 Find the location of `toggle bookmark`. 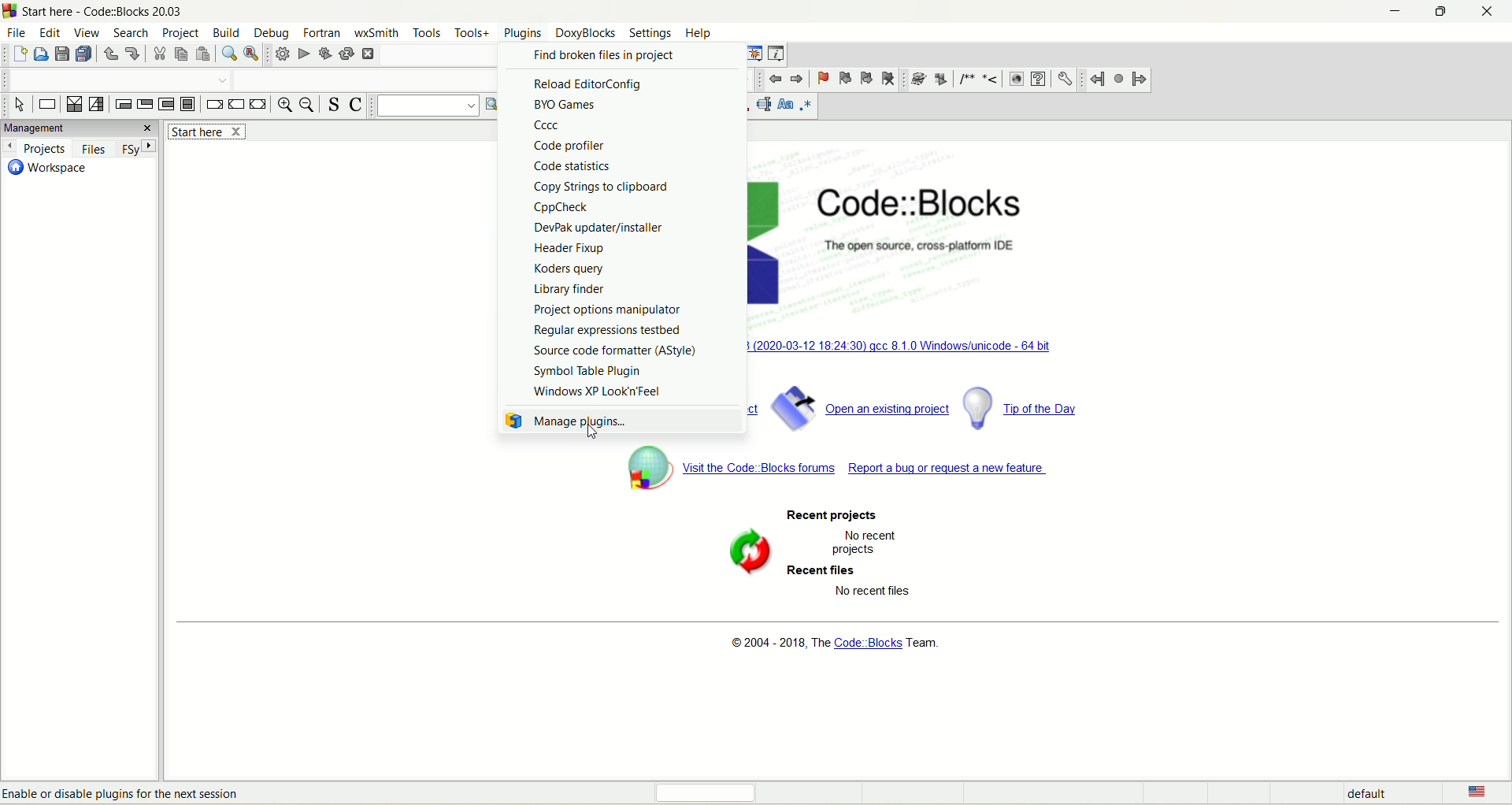

toggle bookmark is located at coordinates (822, 79).